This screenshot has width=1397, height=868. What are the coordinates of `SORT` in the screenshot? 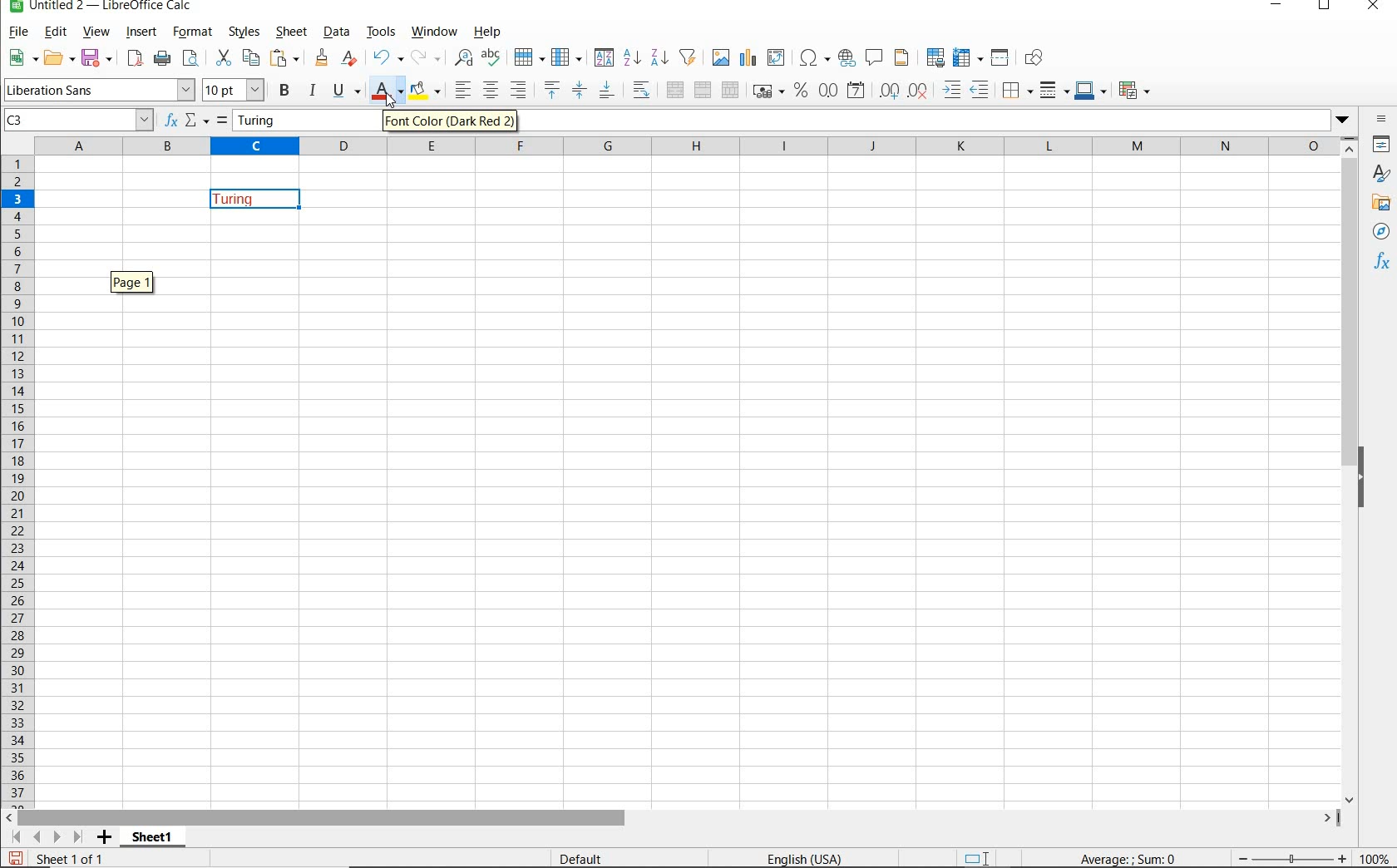 It's located at (602, 57).